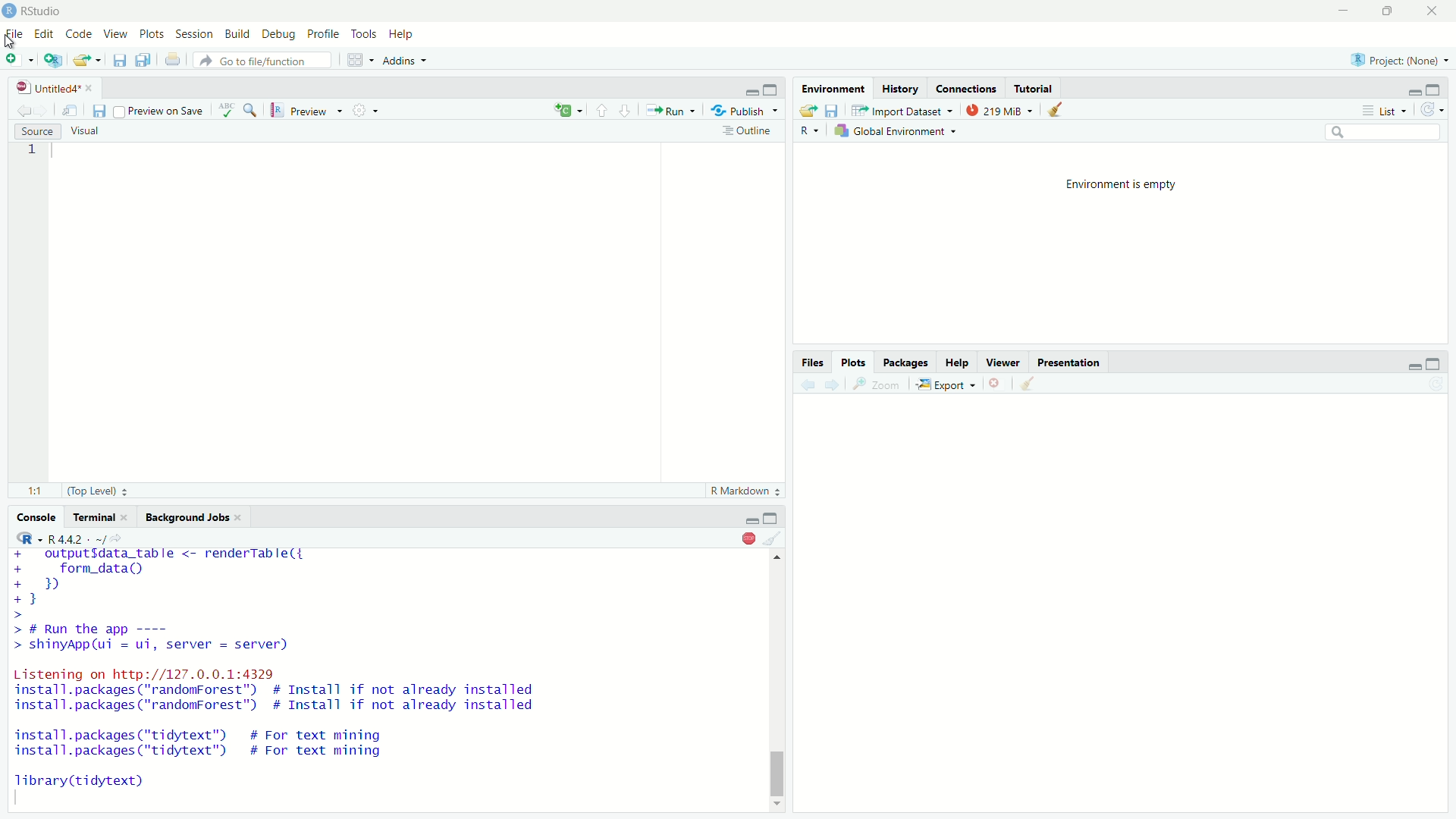  I want to click on Run the current line, so click(671, 111).